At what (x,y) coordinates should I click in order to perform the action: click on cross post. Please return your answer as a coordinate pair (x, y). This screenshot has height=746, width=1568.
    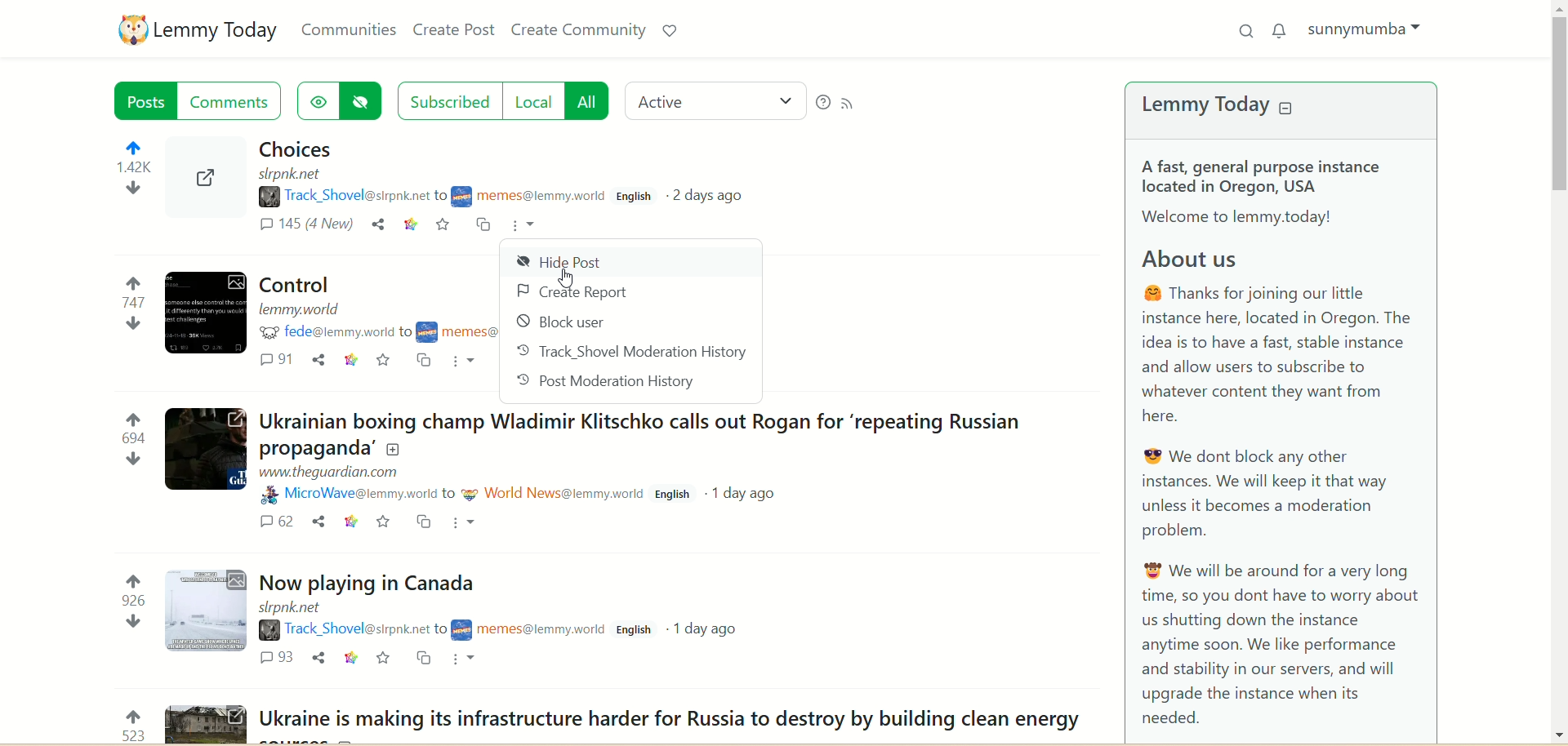
    Looking at the image, I should click on (423, 521).